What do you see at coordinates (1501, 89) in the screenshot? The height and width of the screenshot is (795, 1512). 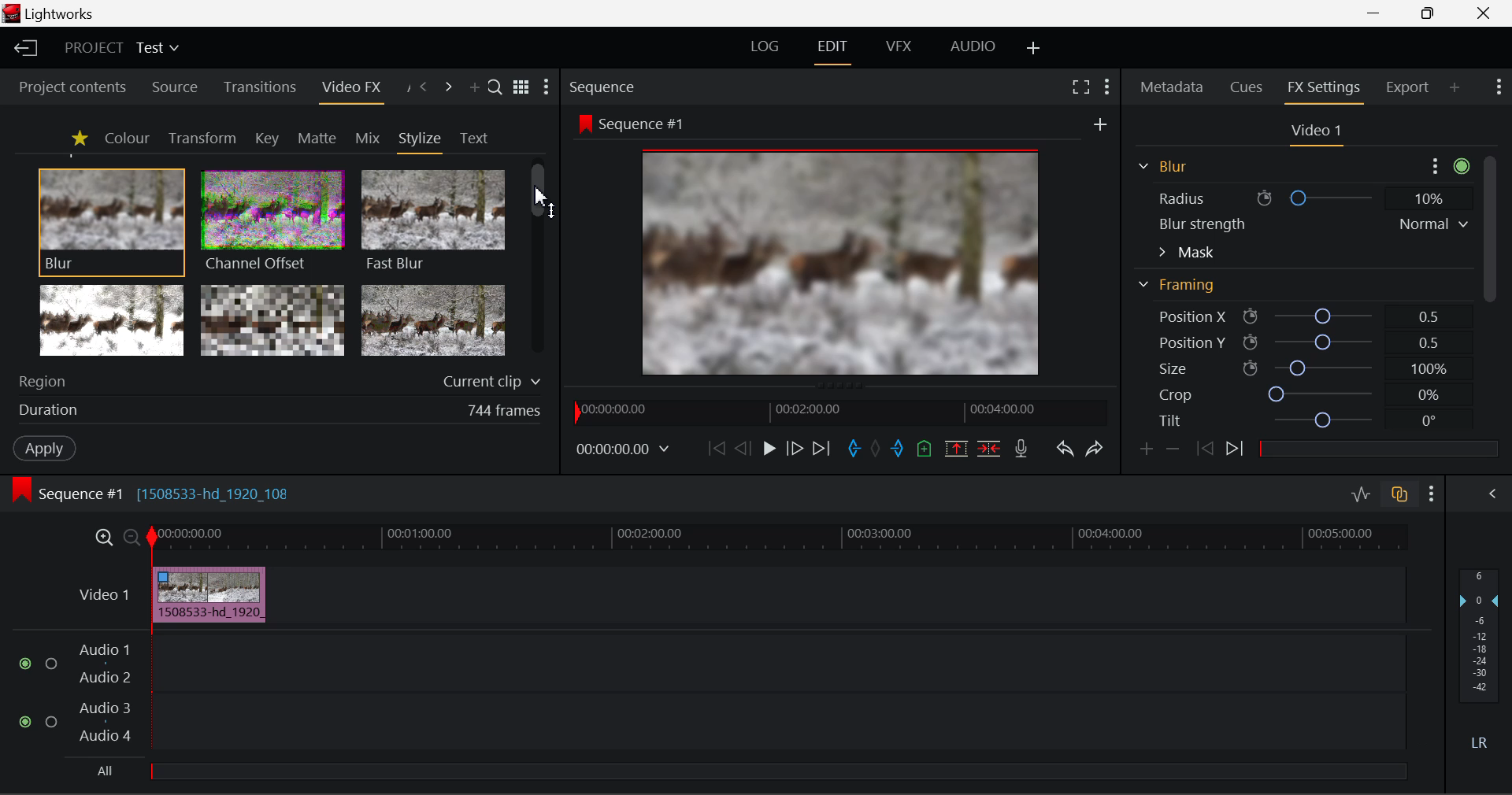 I see `Show Settings` at bounding box center [1501, 89].